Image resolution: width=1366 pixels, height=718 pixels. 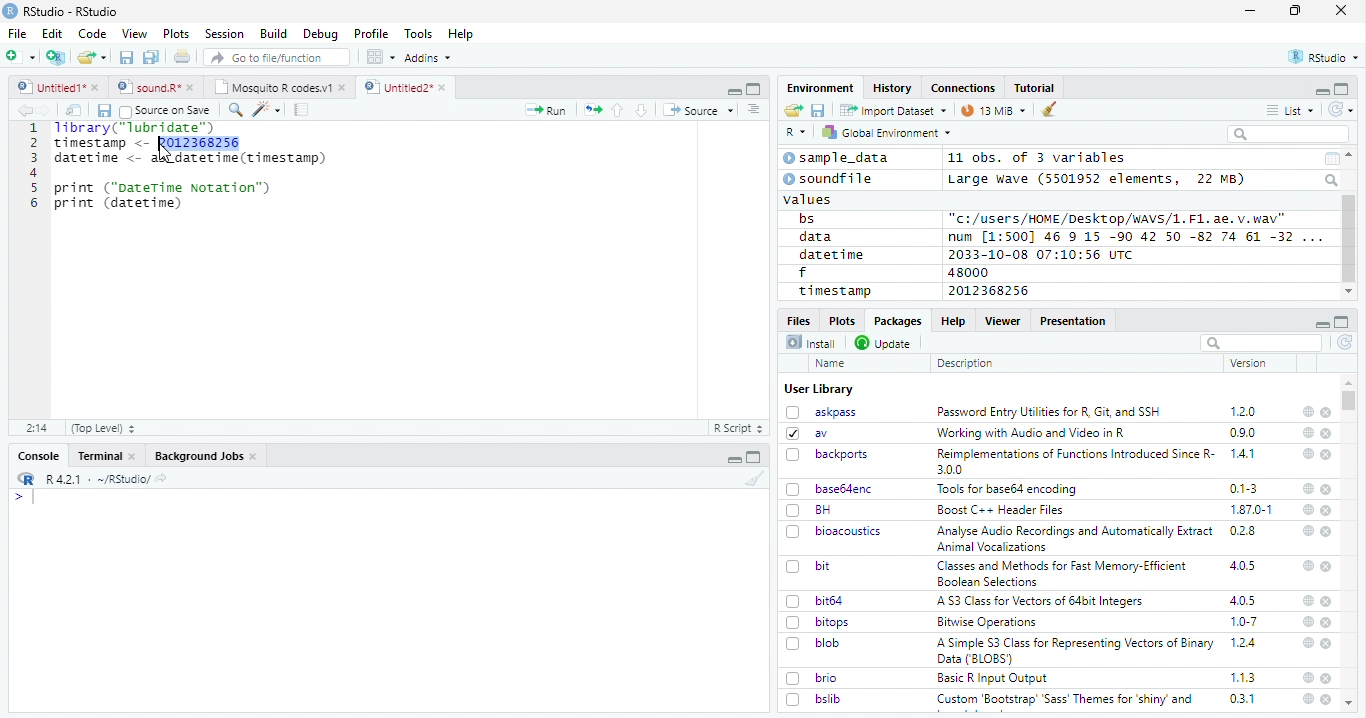 I want to click on Tools for baseb4 encoding, so click(x=1009, y=489).